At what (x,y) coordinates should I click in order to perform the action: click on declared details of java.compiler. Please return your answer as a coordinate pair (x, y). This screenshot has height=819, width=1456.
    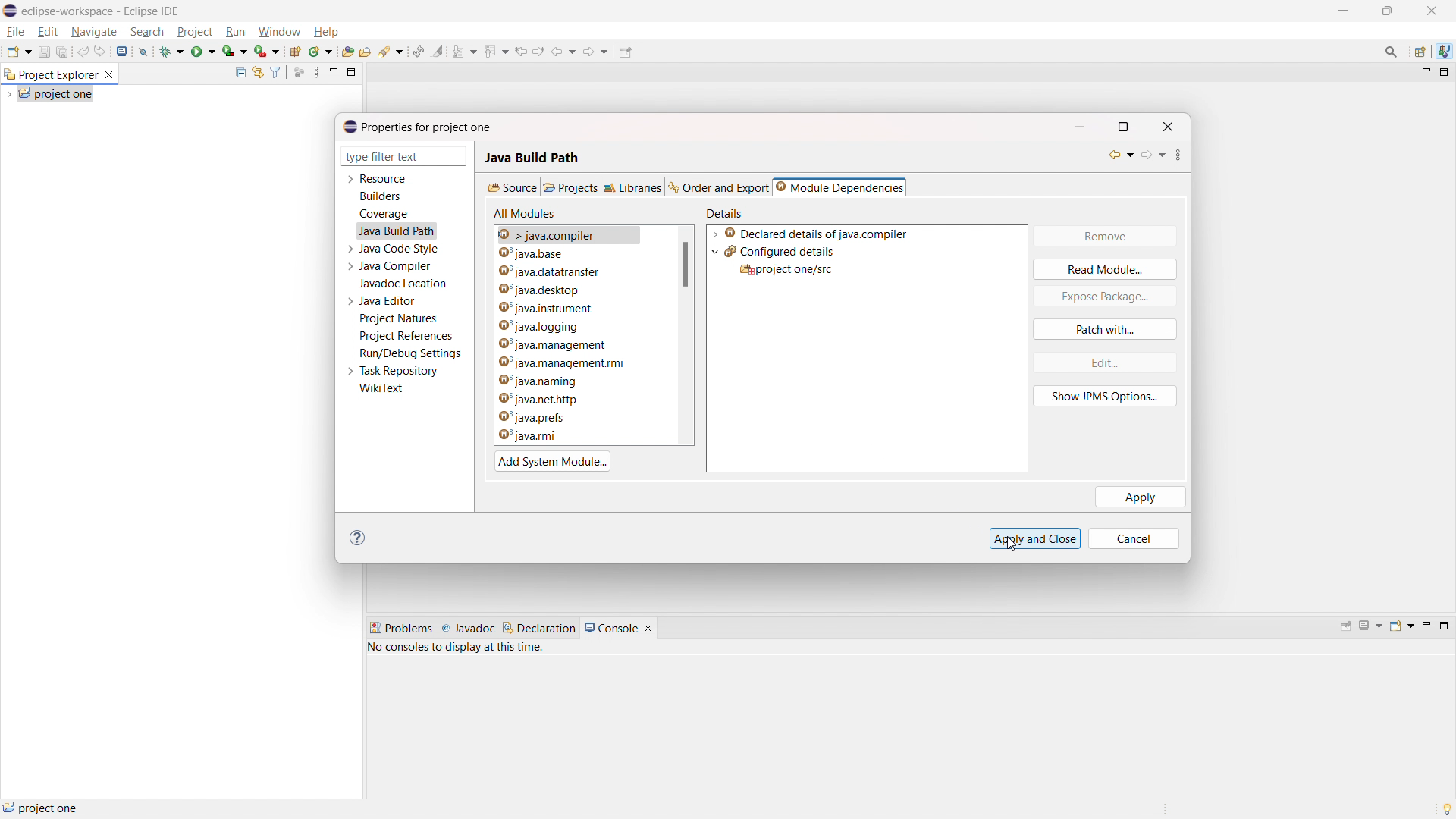
    Looking at the image, I should click on (816, 234).